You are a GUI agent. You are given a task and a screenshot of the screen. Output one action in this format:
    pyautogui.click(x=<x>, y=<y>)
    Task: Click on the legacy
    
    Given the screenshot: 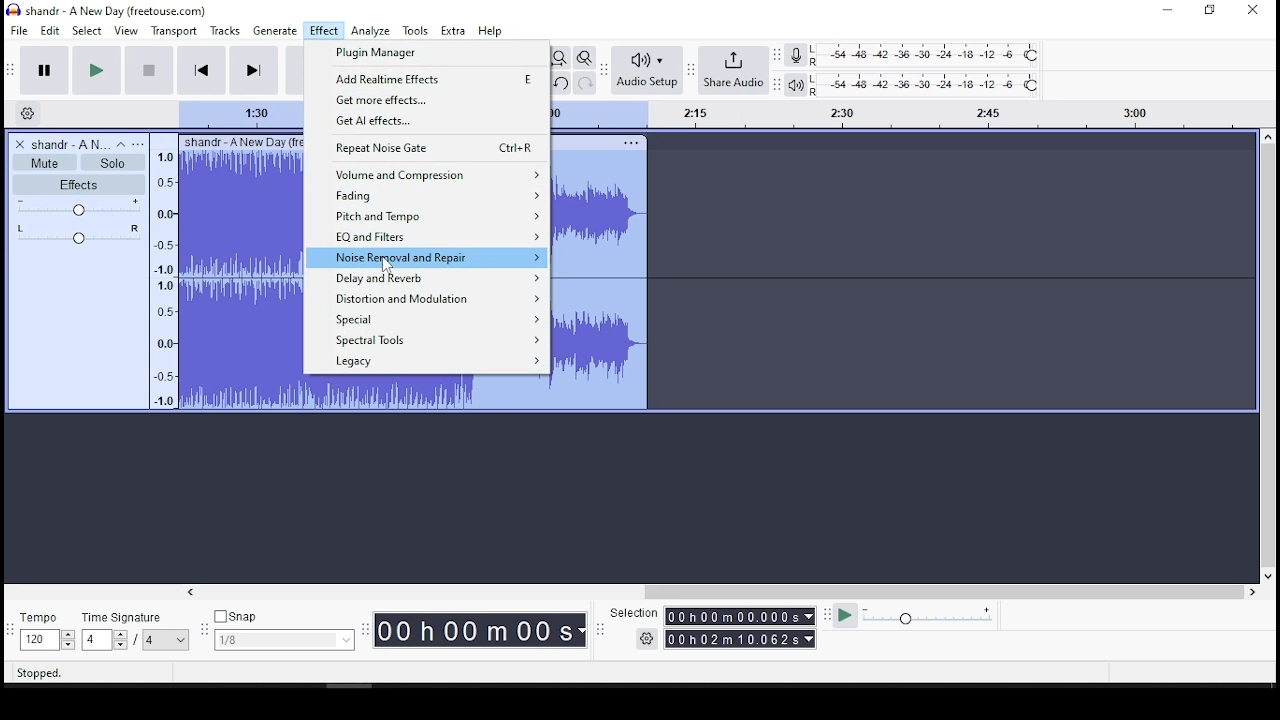 What is the action you would take?
    pyautogui.click(x=425, y=362)
    